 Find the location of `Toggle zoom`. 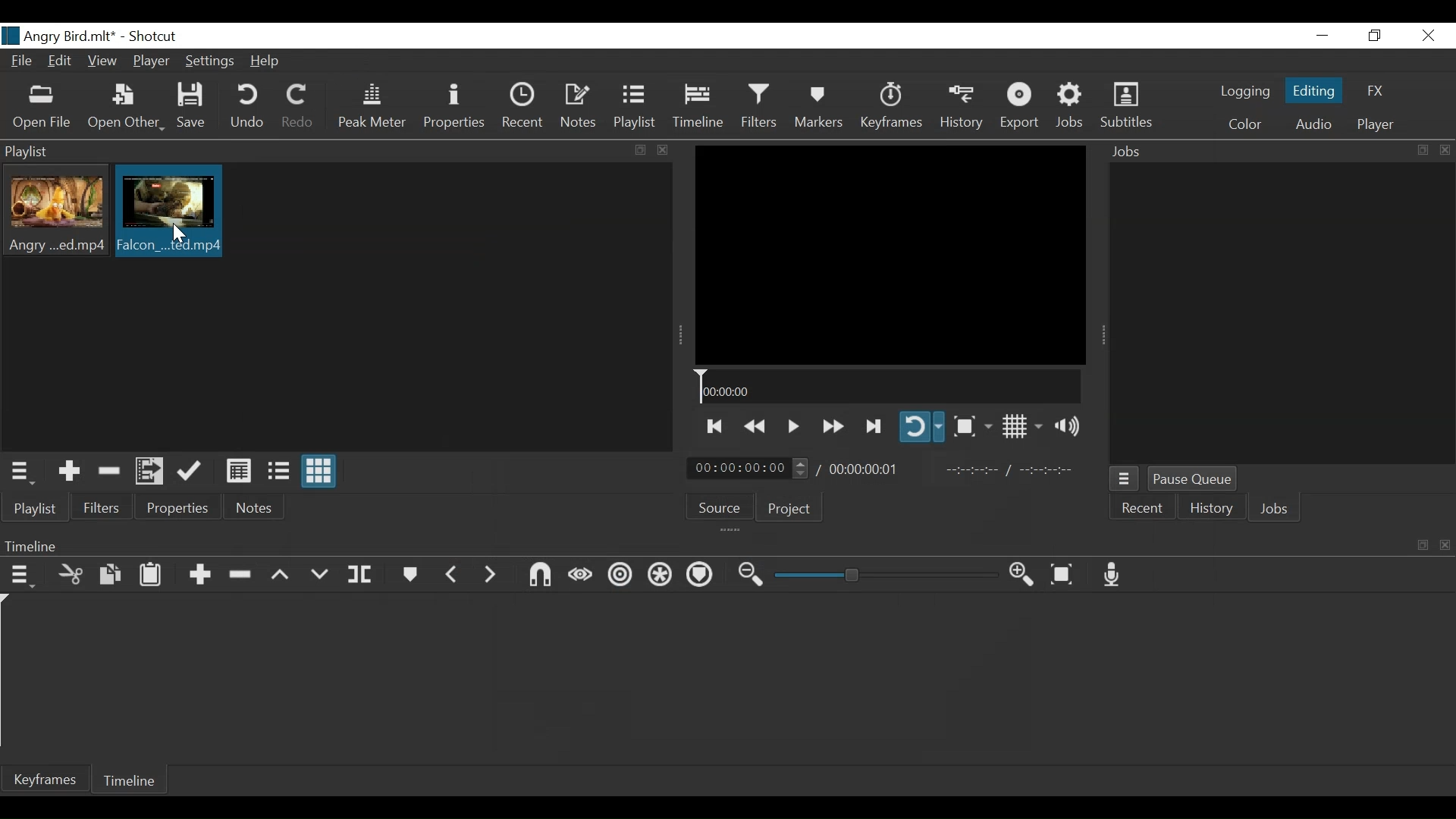

Toggle zoom is located at coordinates (972, 426).